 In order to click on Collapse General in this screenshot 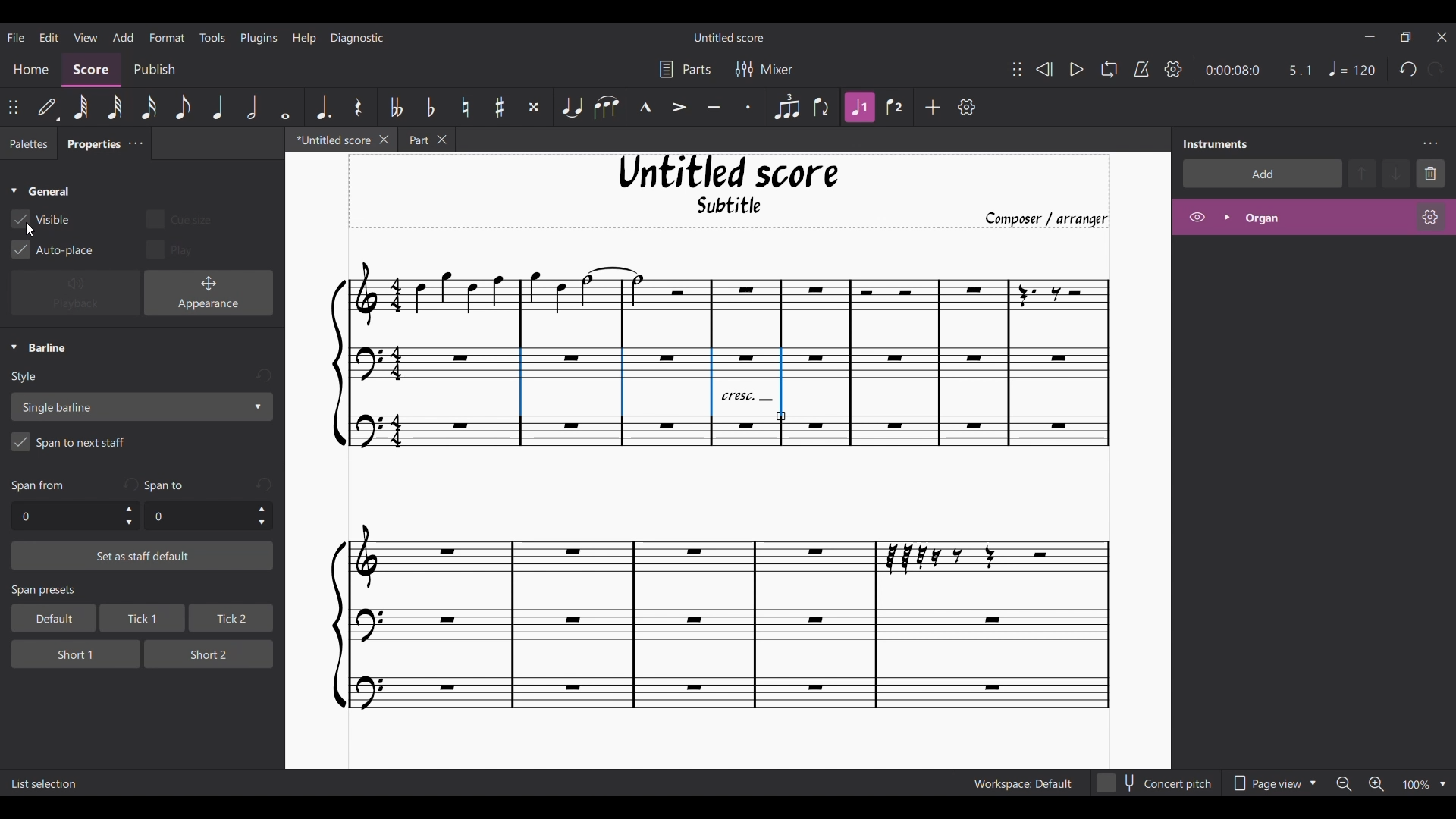, I will do `click(41, 192)`.